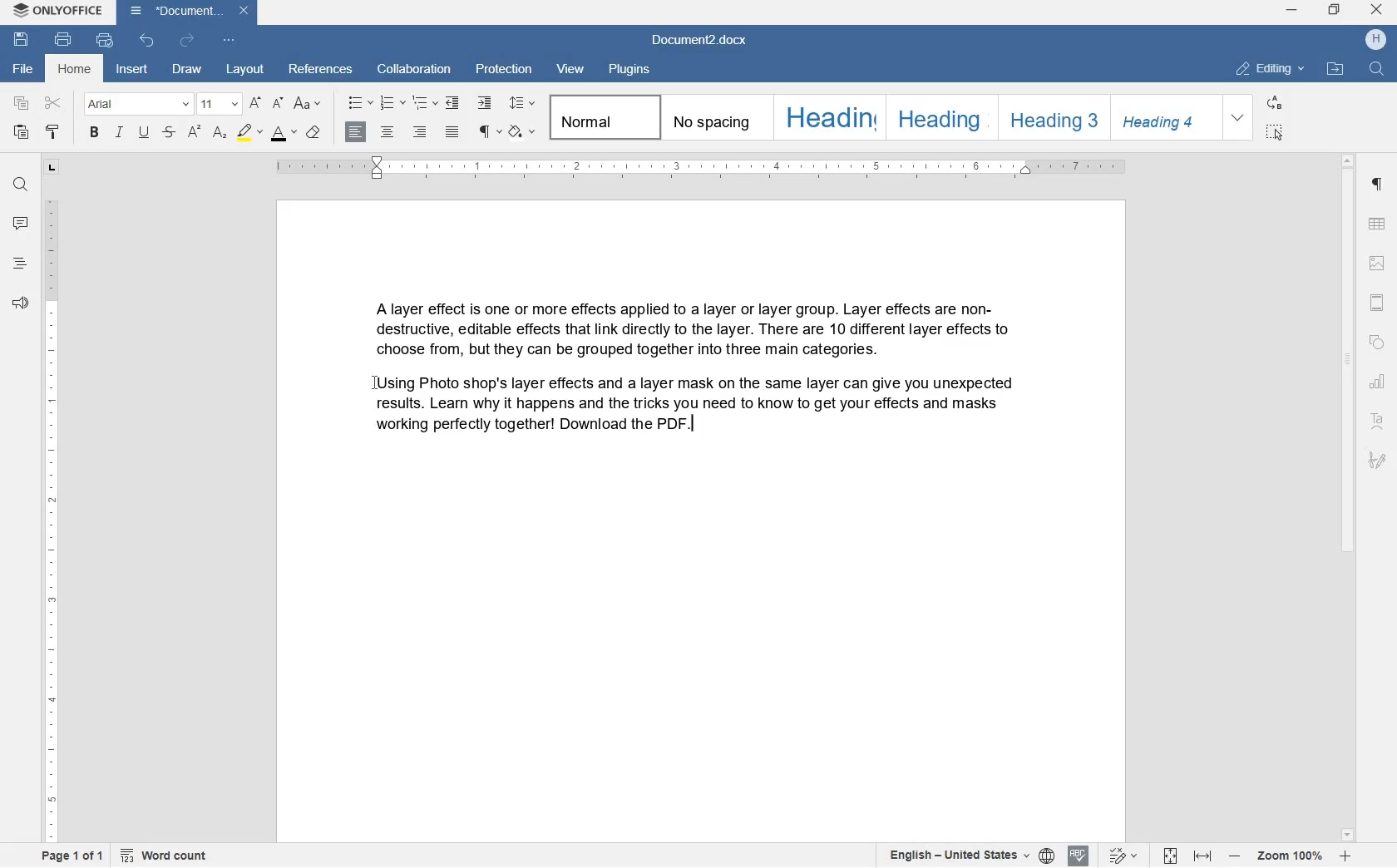 This screenshot has height=868, width=1397. What do you see at coordinates (1273, 133) in the screenshot?
I see `SELECT ALL` at bounding box center [1273, 133].